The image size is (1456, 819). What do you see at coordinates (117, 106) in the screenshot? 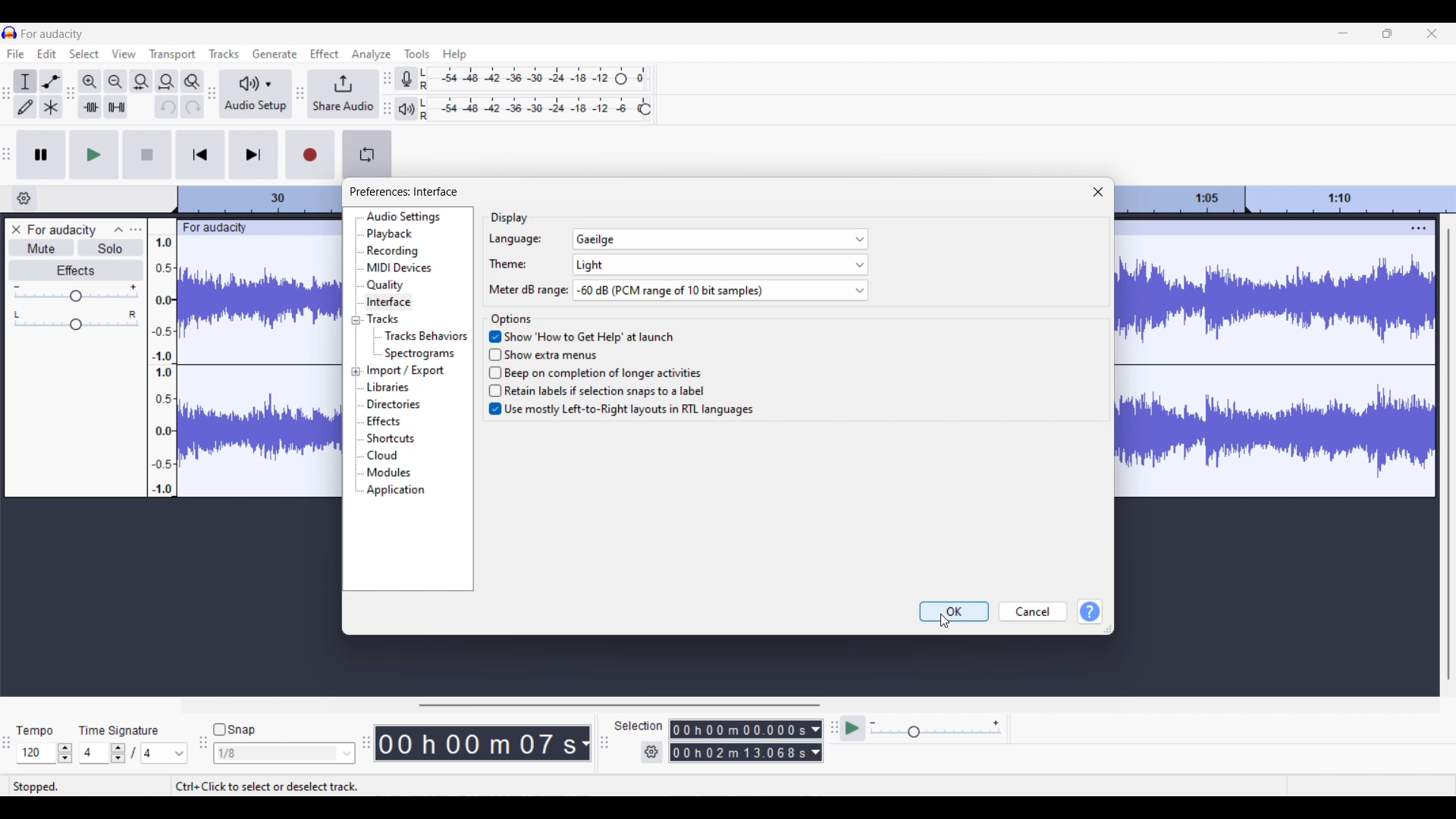
I see `Silence audio selection` at bounding box center [117, 106].